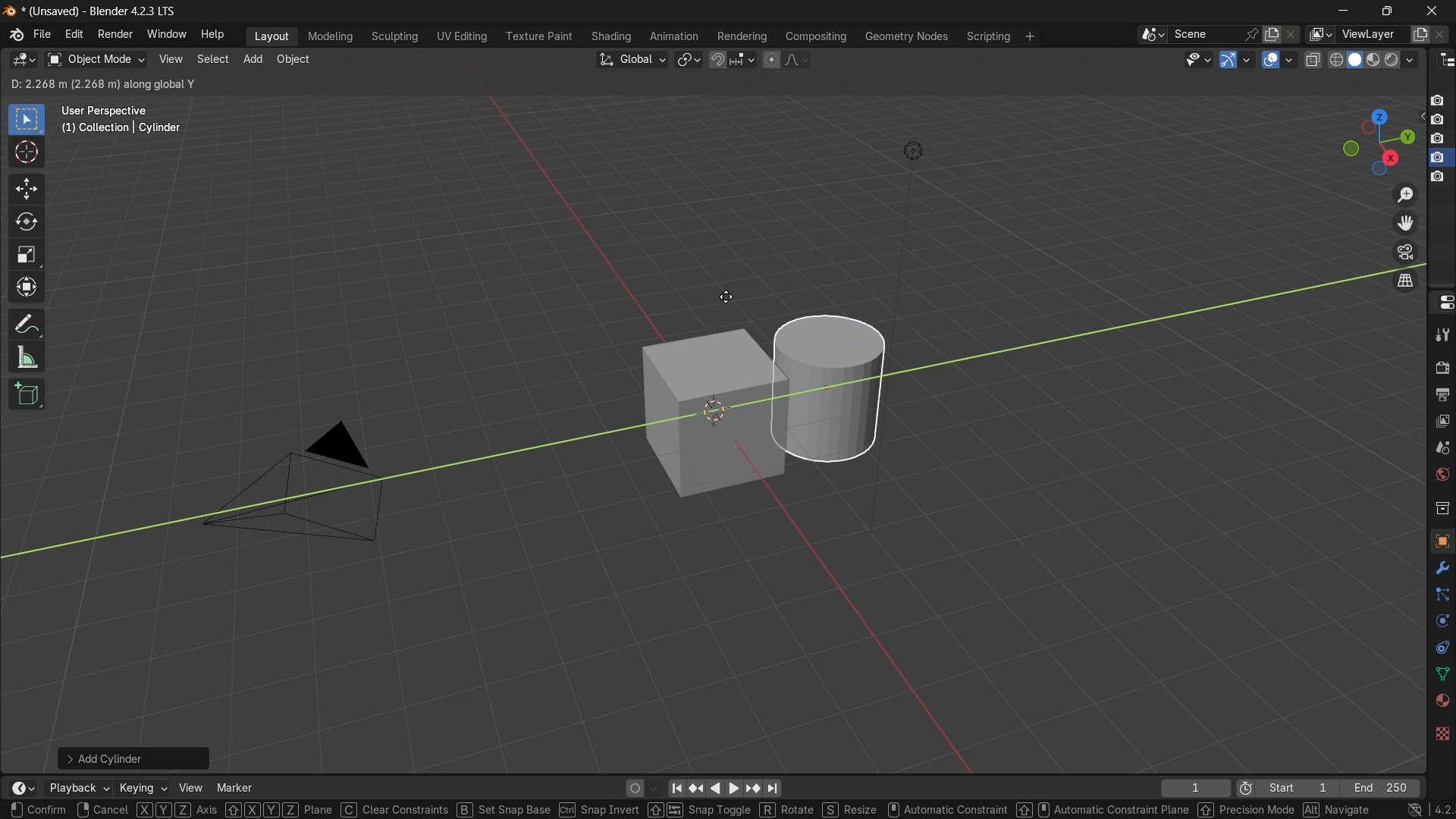  What do you see at coordinates (171, 59) in the screenshot?
I see `view` at bounding box center [171, 59].